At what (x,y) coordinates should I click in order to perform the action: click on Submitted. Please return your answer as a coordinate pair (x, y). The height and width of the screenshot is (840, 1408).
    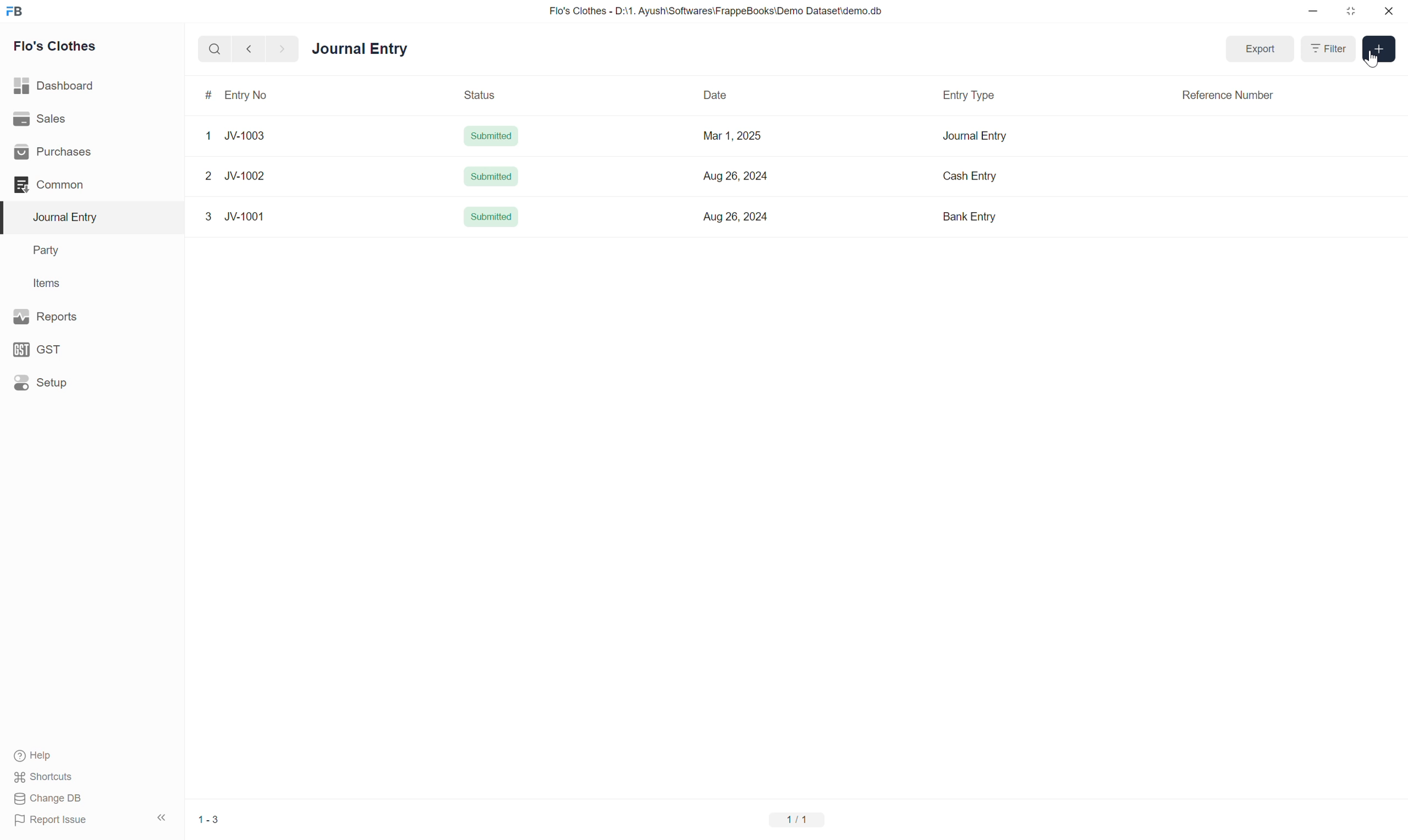
    Looking at the image, I should click on (490, 216).